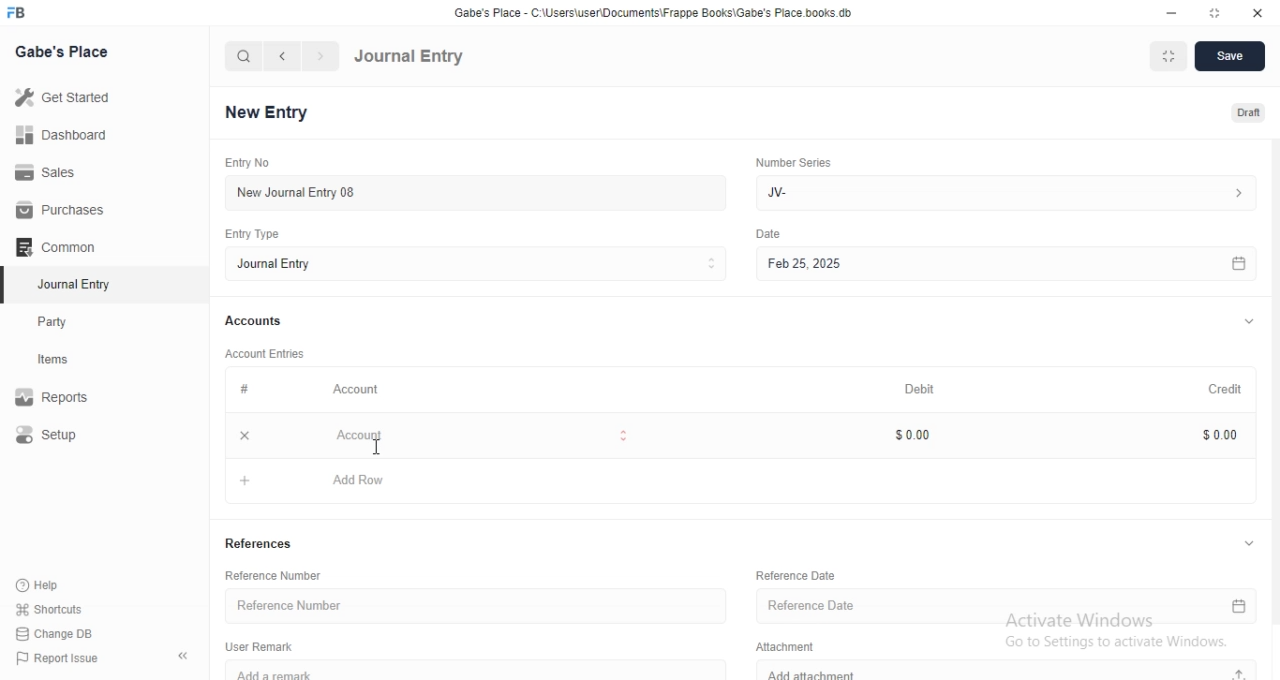 The image size is (1280, 680). I want to click on Feb 25, 2025, so click(1003, 263).